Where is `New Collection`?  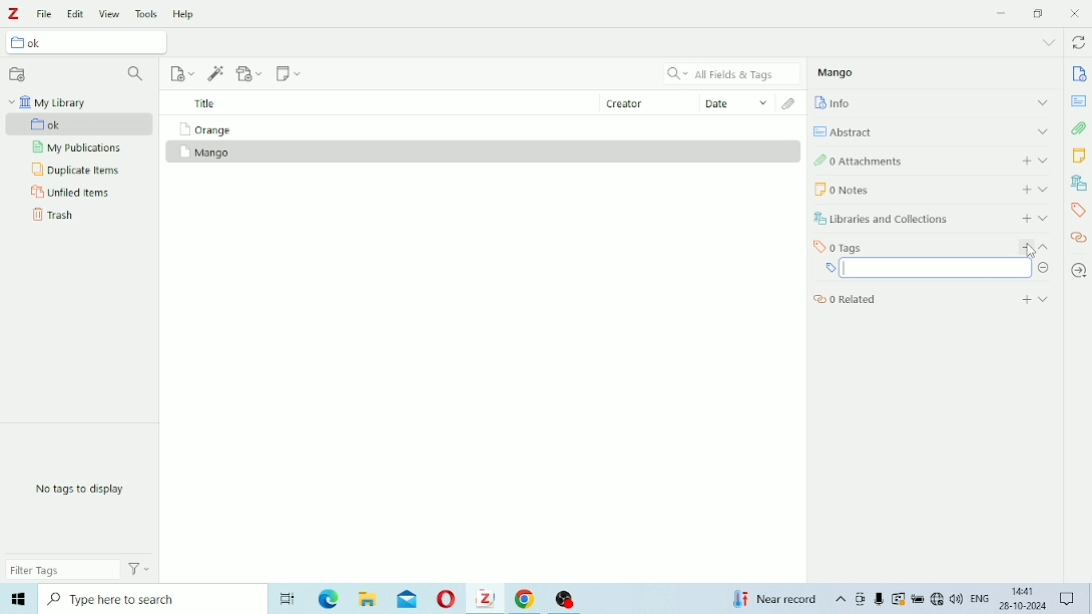
New Collection is located at coordinates (17, 75).